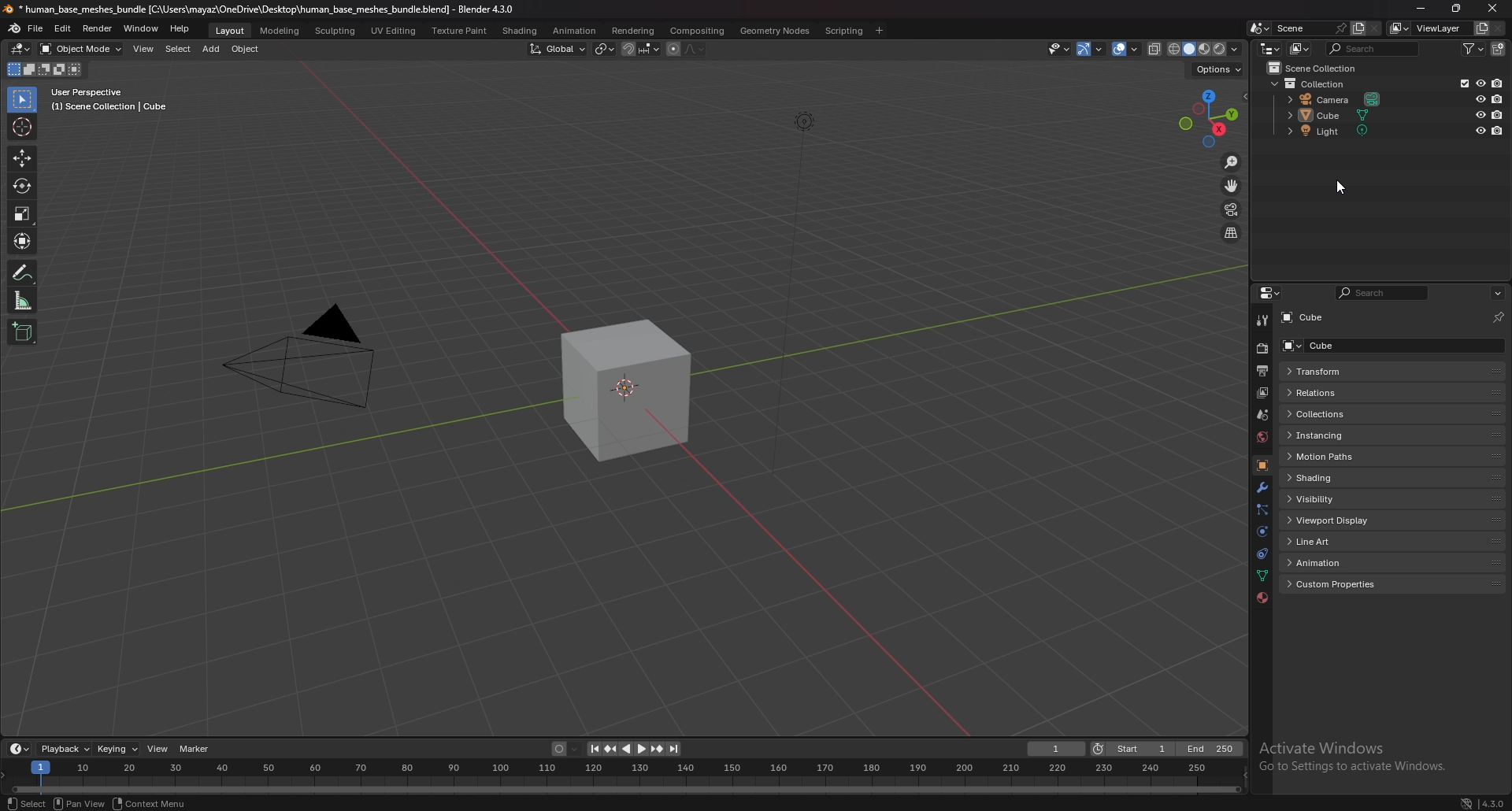 This screenshot has height=811, width=1512. What do you see at coordinates (1480, 83) in the screenshot?
I see `hide in viewport` at bounding box center [1480, 83].